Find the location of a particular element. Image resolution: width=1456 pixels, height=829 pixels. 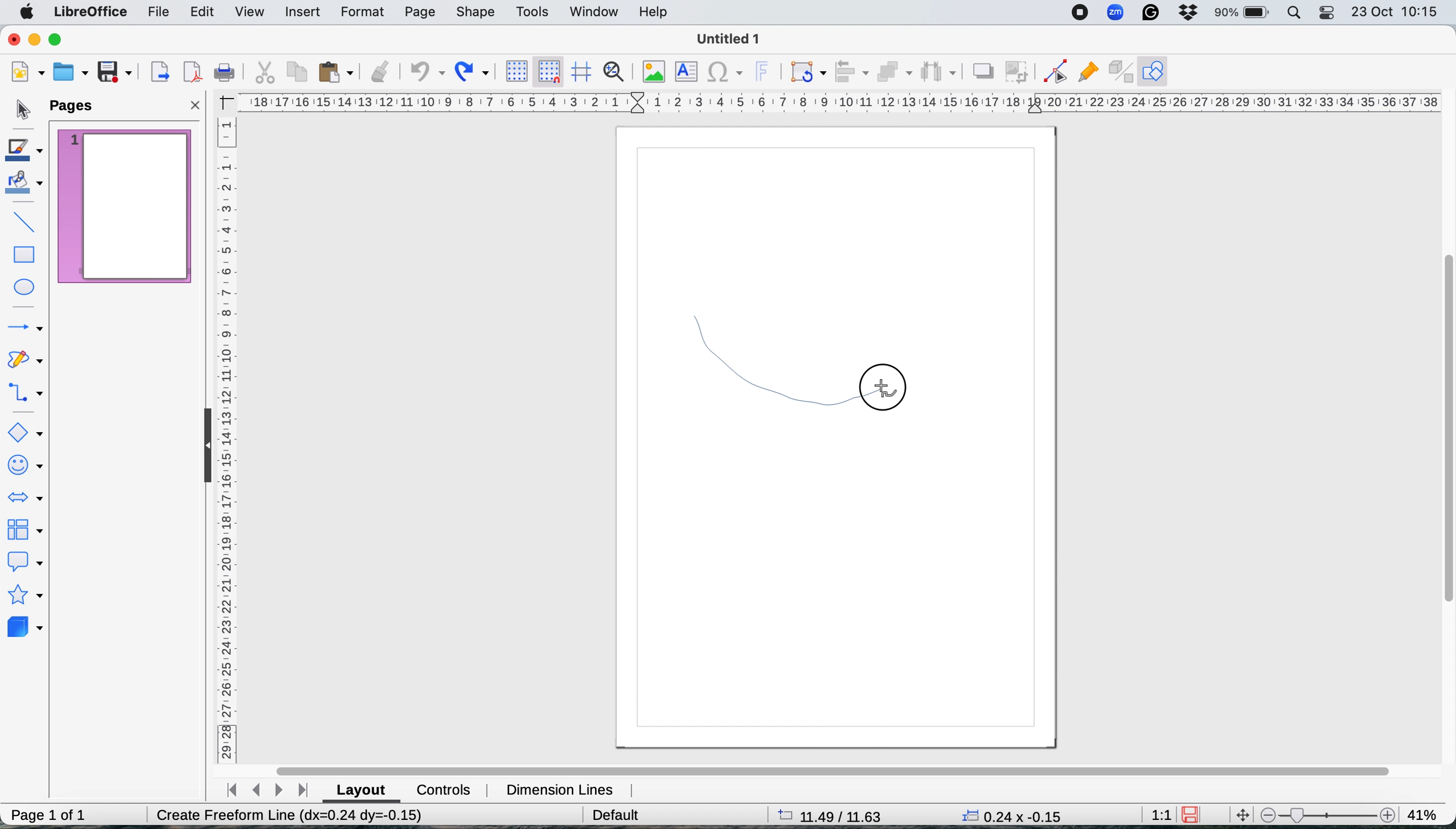

grammarly is located at coordinates (1150, 12).